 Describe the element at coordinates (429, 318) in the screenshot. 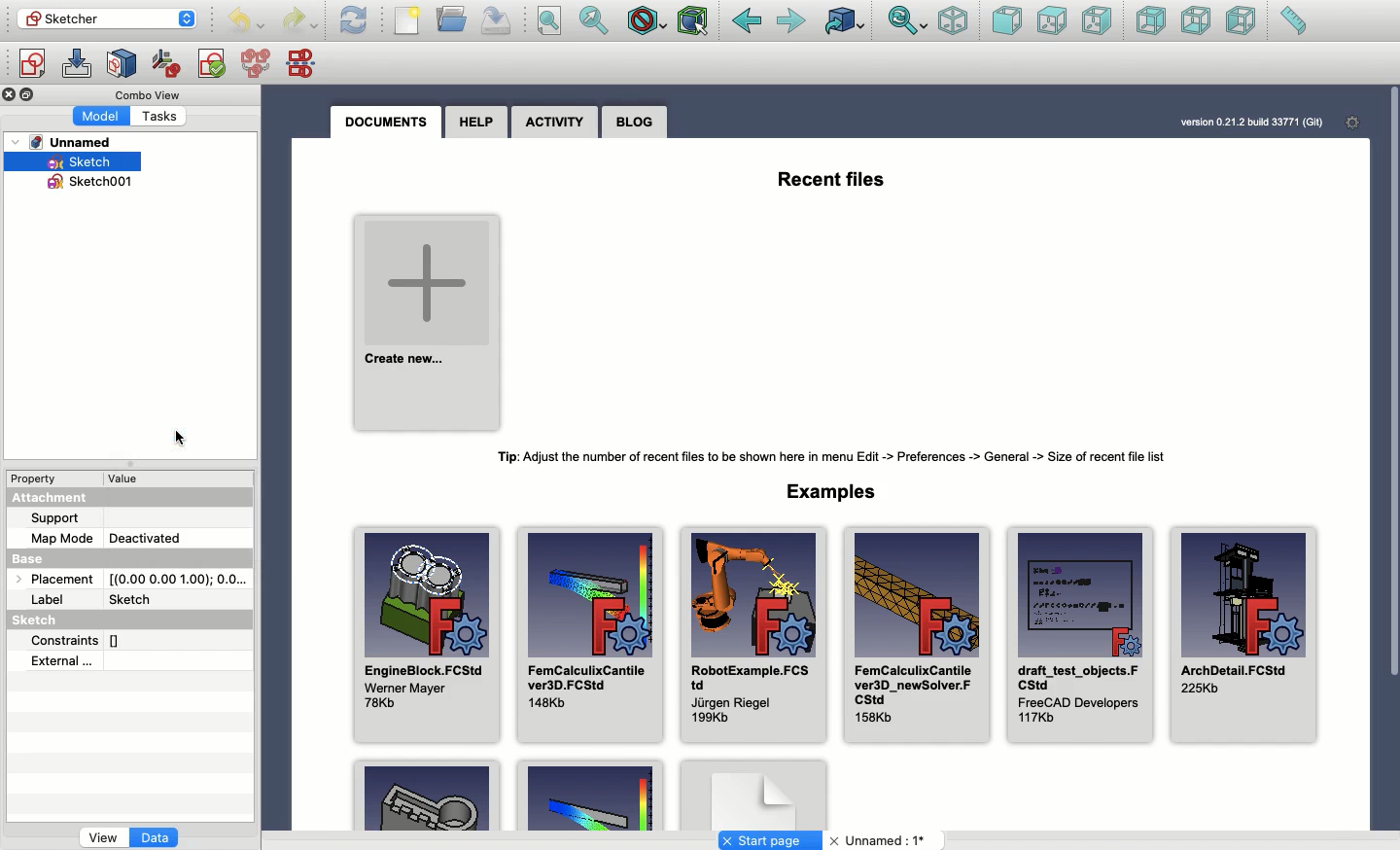

I see `Create new` at that location.